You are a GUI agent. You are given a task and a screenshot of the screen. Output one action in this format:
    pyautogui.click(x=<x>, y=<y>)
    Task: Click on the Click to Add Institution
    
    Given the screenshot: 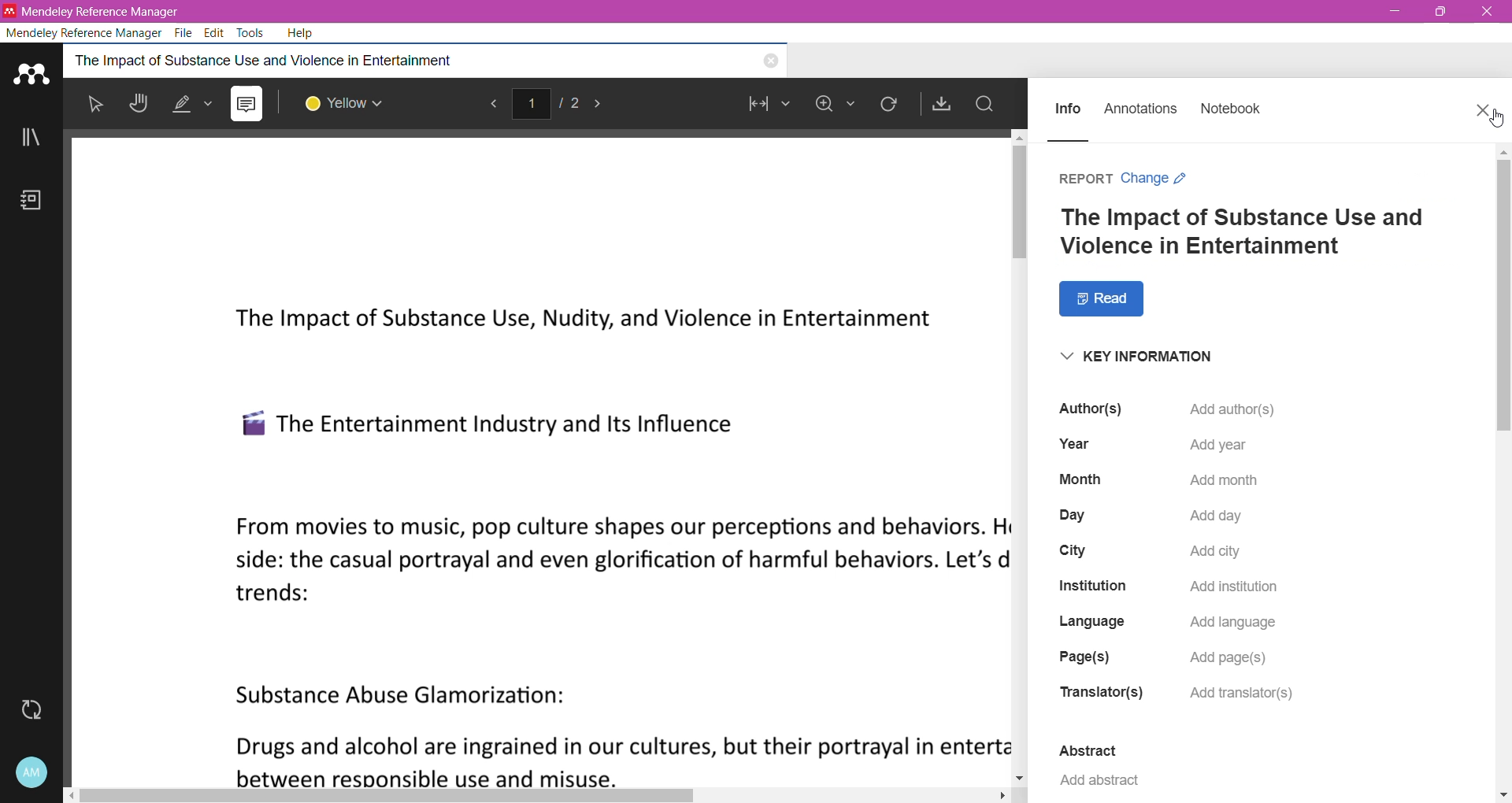 What is the action you would take?
    pyautogui.click(x=1226, y=587)
    